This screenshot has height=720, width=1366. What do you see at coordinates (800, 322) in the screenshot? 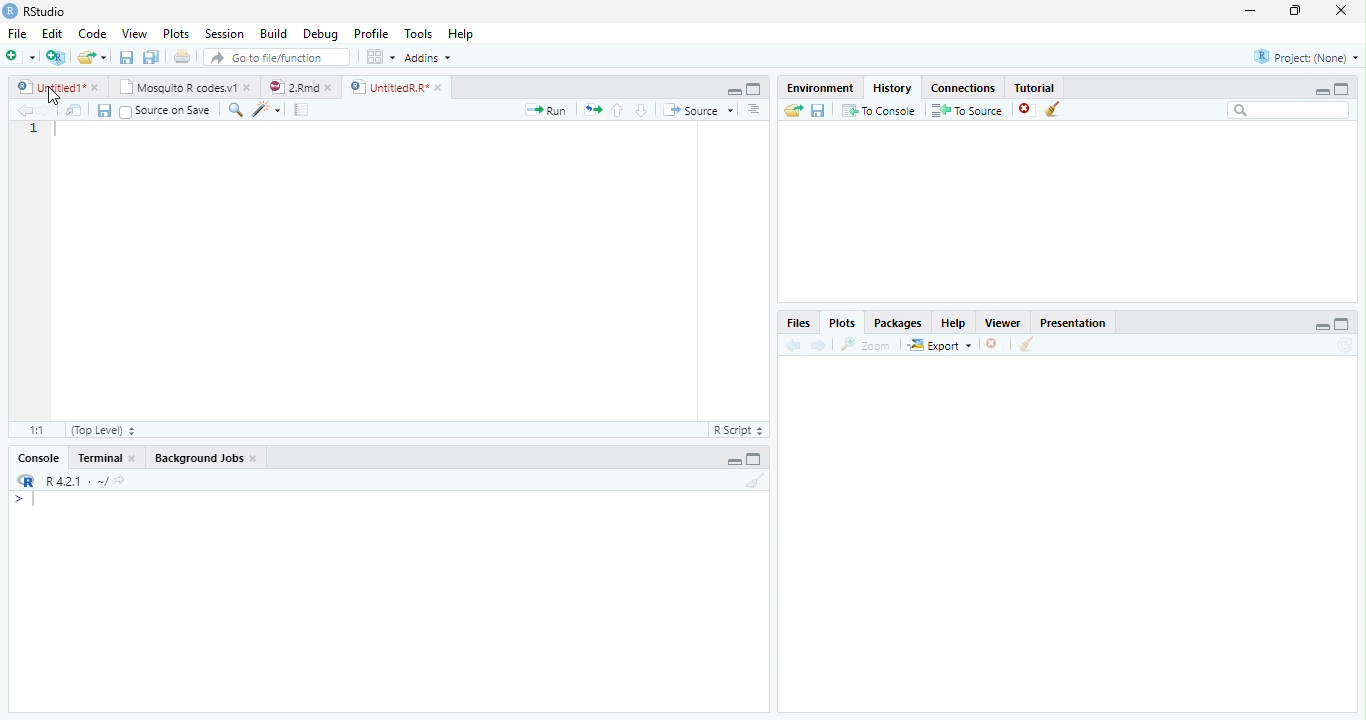
I see `Files` at bounding box center [800, 322].